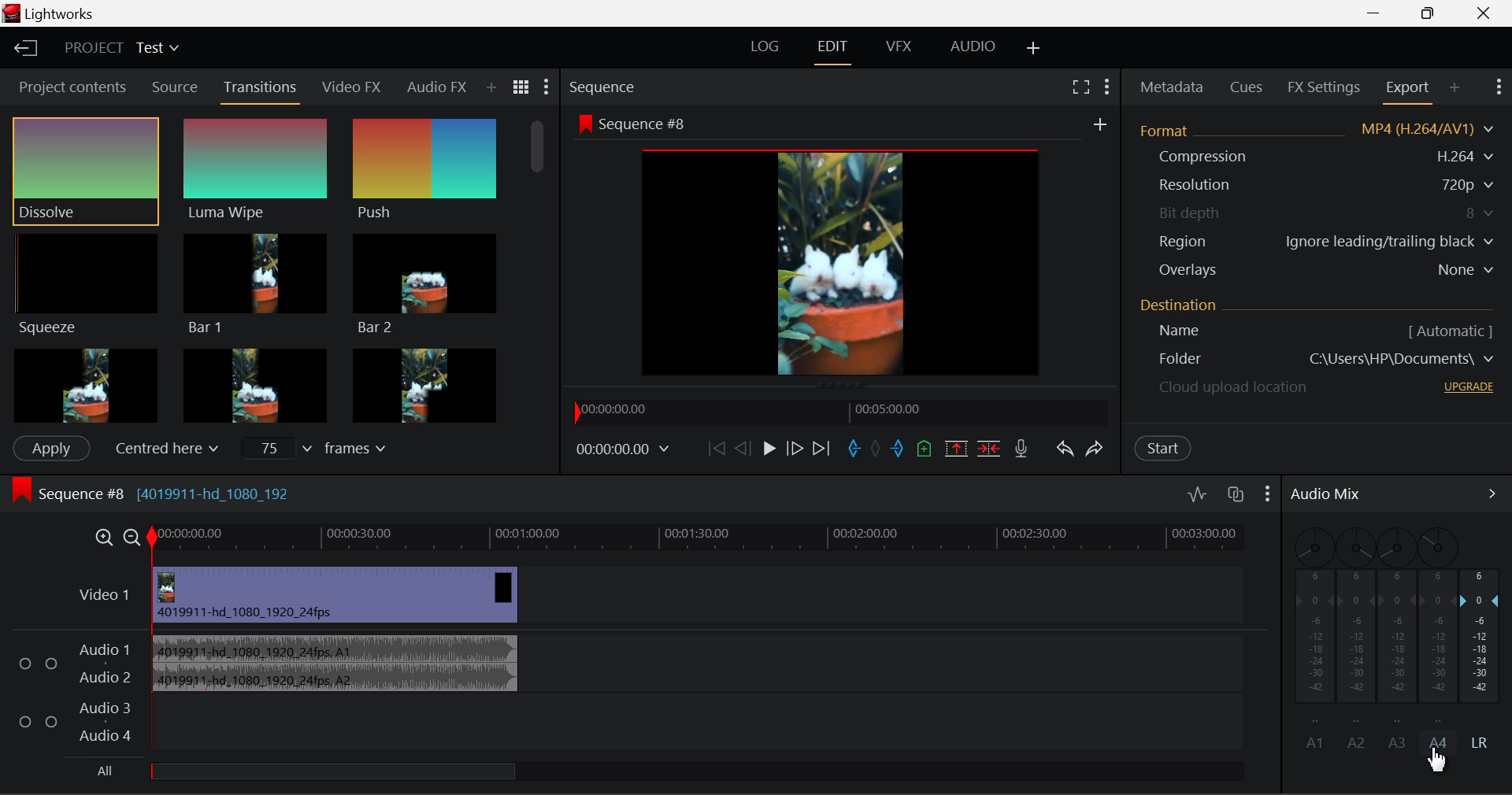  I want to click on Cursor Position AFTER_LAST_ACTION, so click(1436, 760).